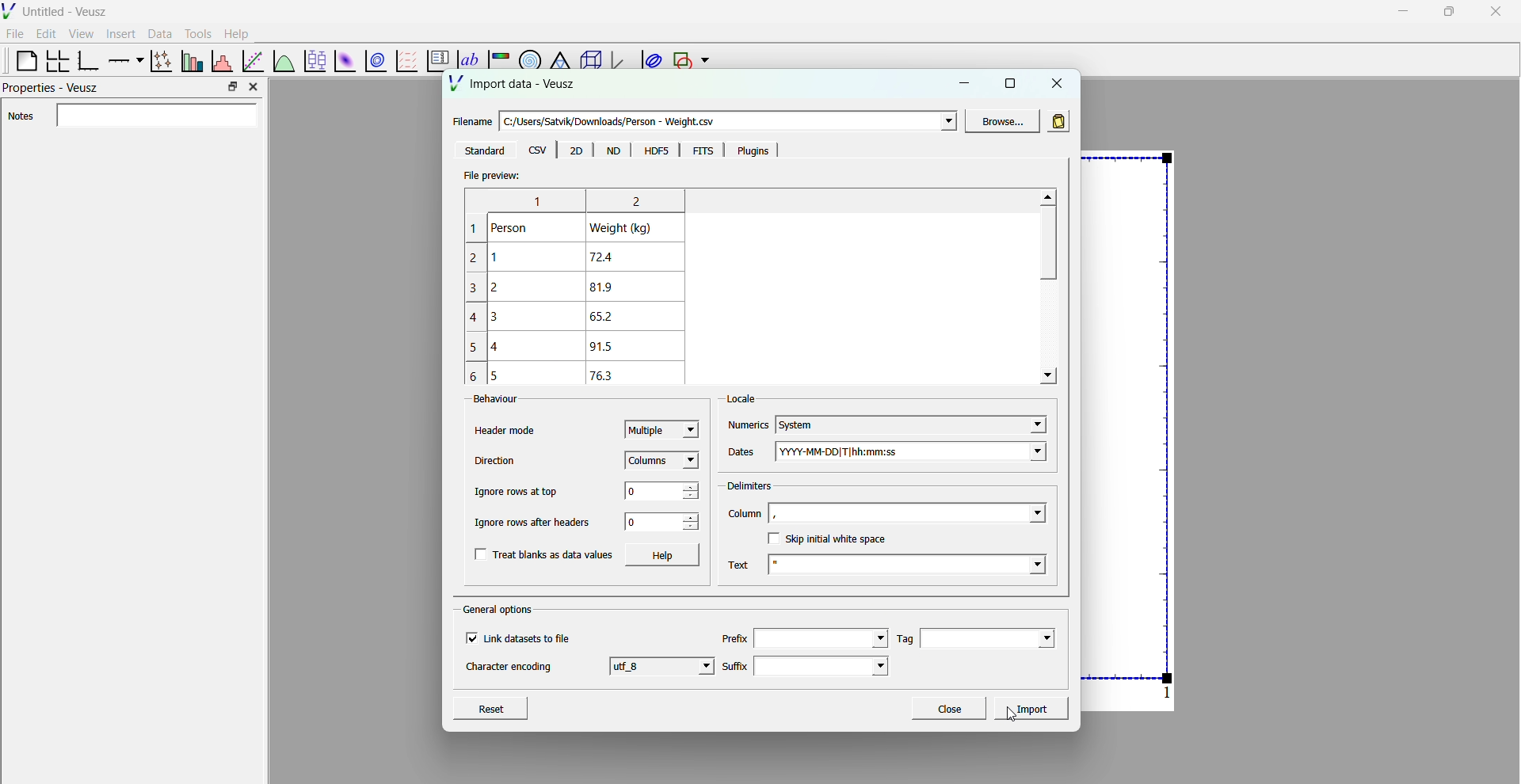 This screenshot has height=784, width=1521. What do you see at coordinates (255, 86) in the screenshot?
I see `close property bar` at bounding box center [255, 86].